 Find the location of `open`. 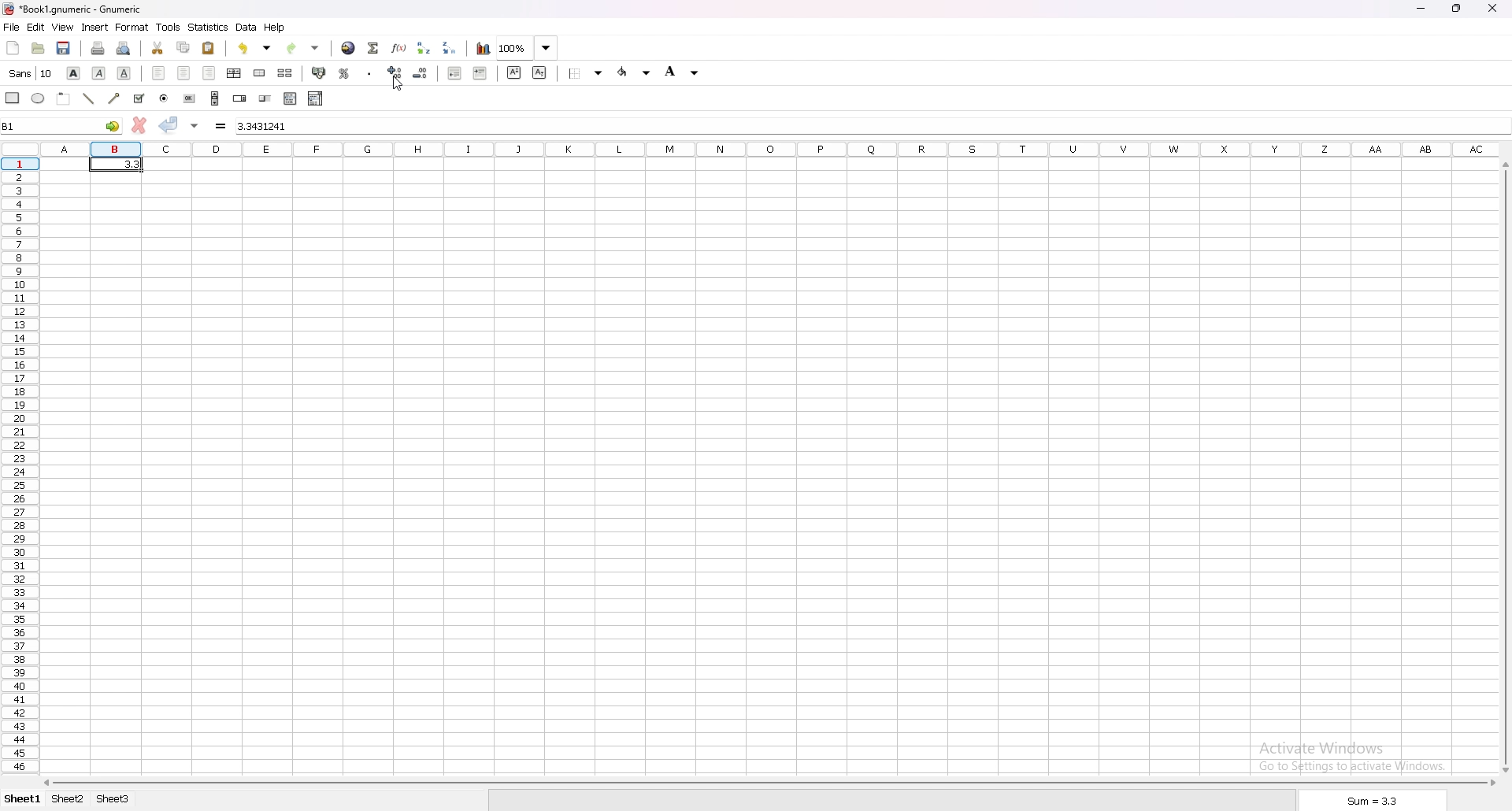

open is located at coordinates (39, 48).